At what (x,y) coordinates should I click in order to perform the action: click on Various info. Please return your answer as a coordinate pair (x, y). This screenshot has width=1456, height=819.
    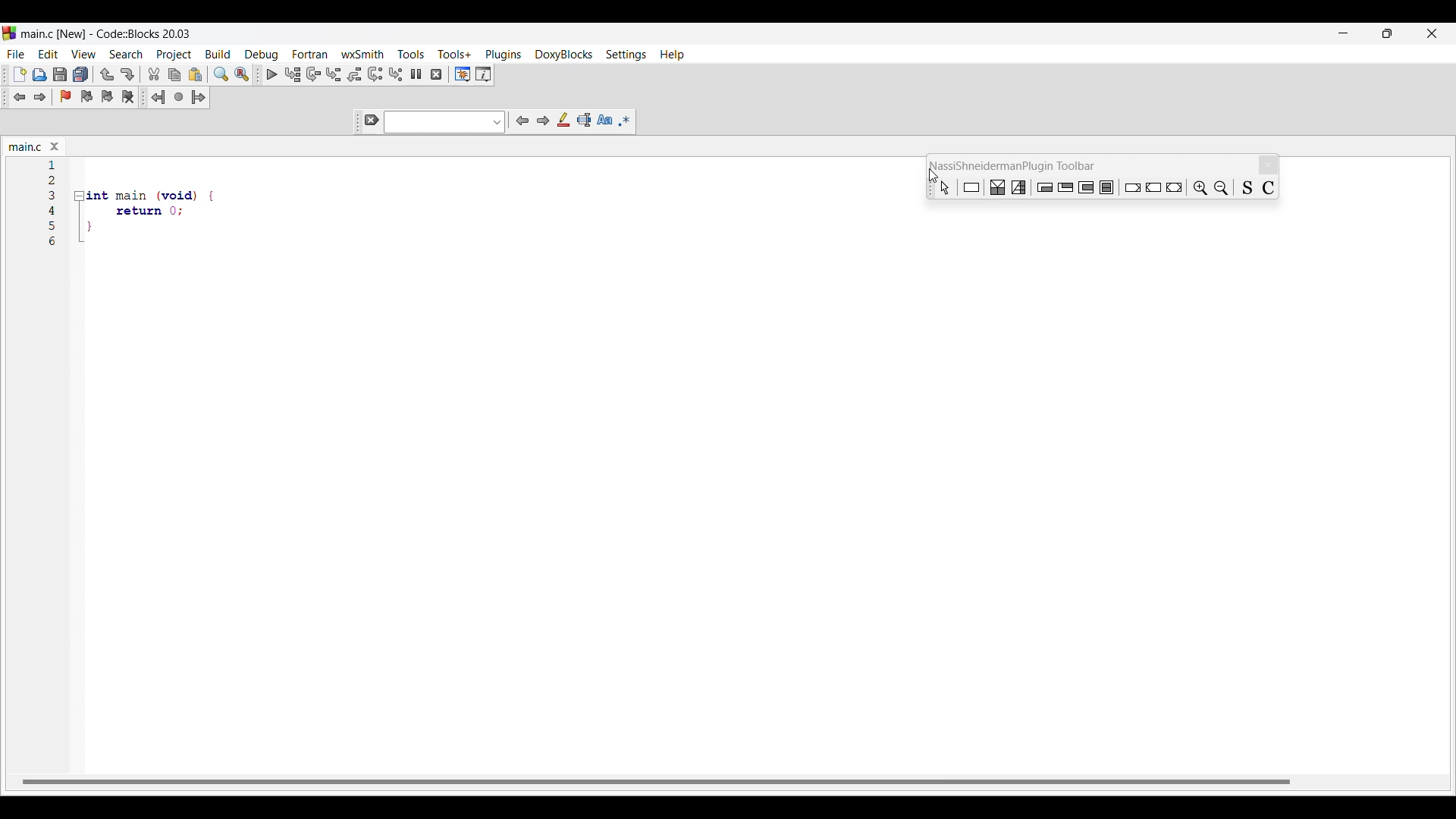
    Looking at the image, I should click on (484, 74).